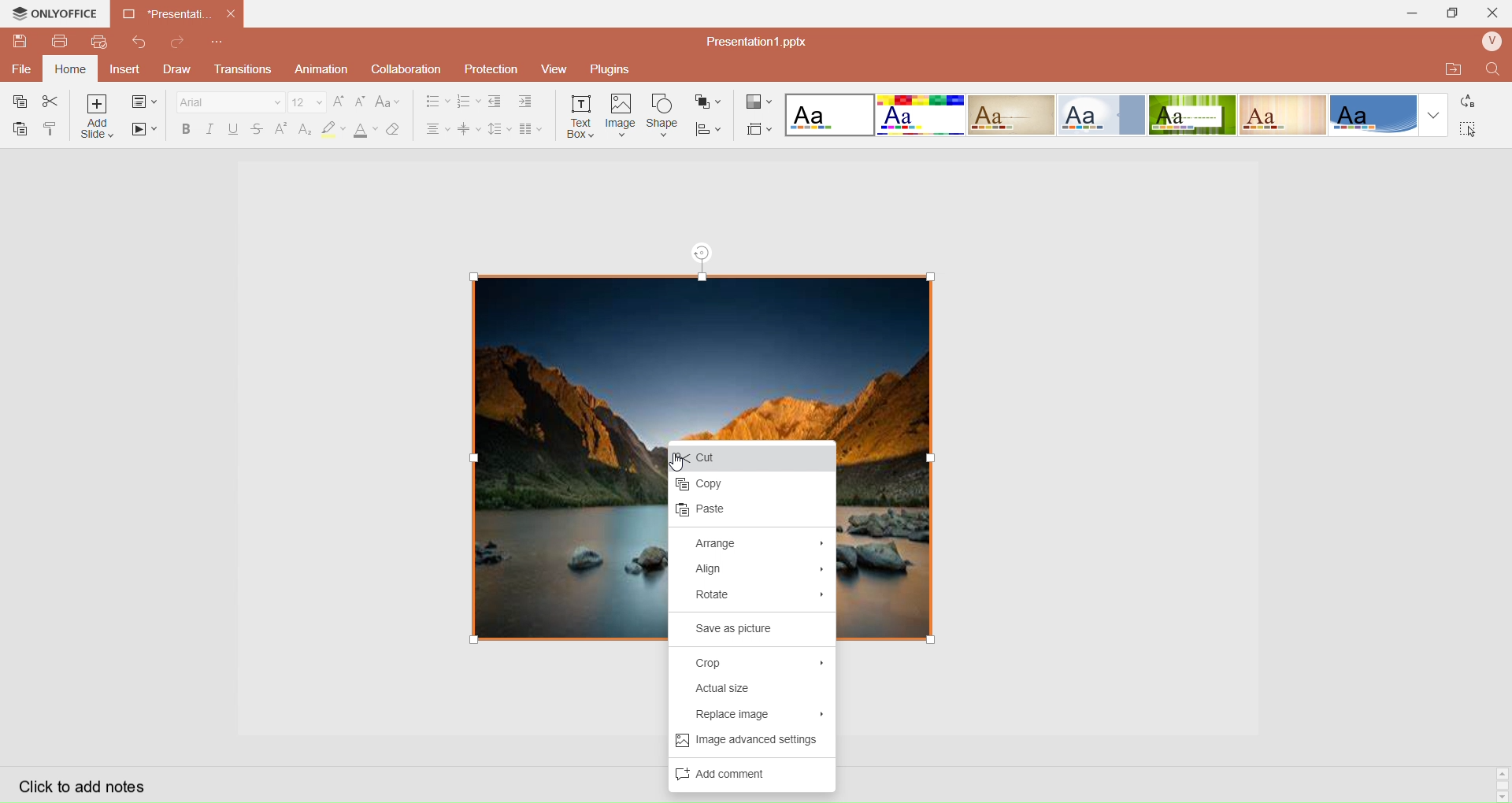 This screenshot has width=1512, height=803. Describe the element at coordinates (217, 43) in the screenshot. I see `Customize Quick Access Toolbar` at that location.